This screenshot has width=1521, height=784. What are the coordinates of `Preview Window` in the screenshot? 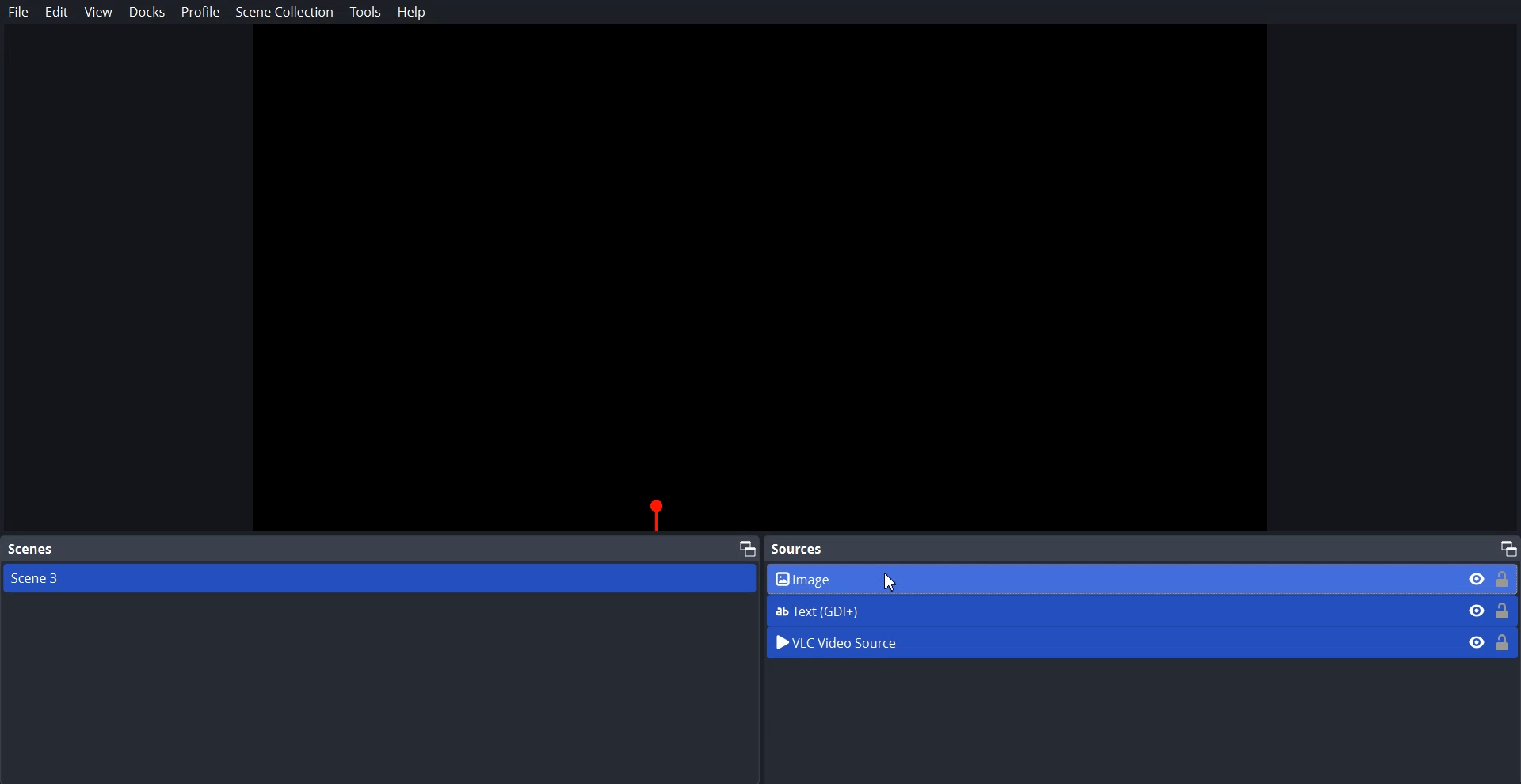 It's located at (760, 280).